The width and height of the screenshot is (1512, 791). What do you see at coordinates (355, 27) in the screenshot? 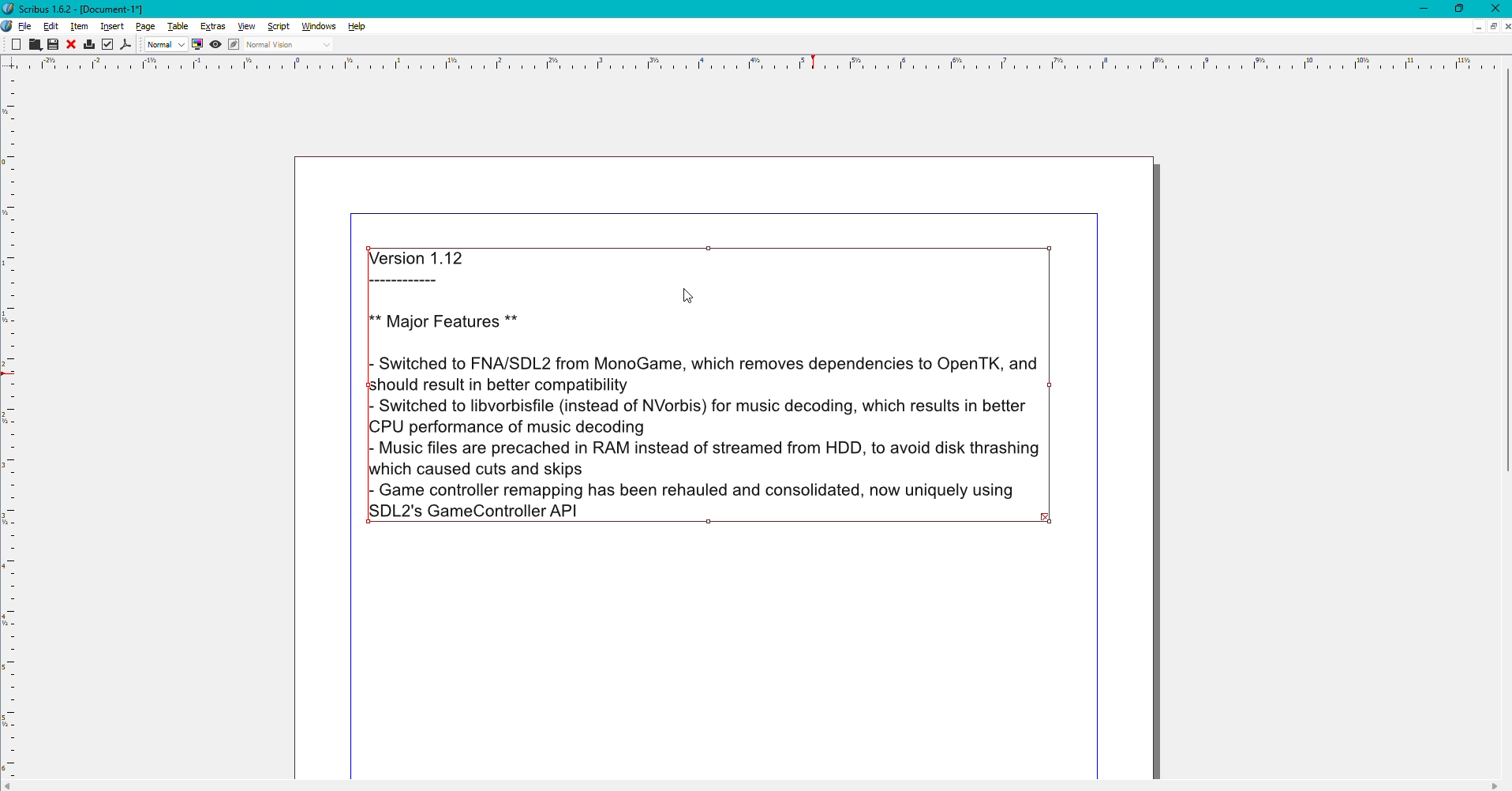
I see `Help` at bounding box center [355, 27].